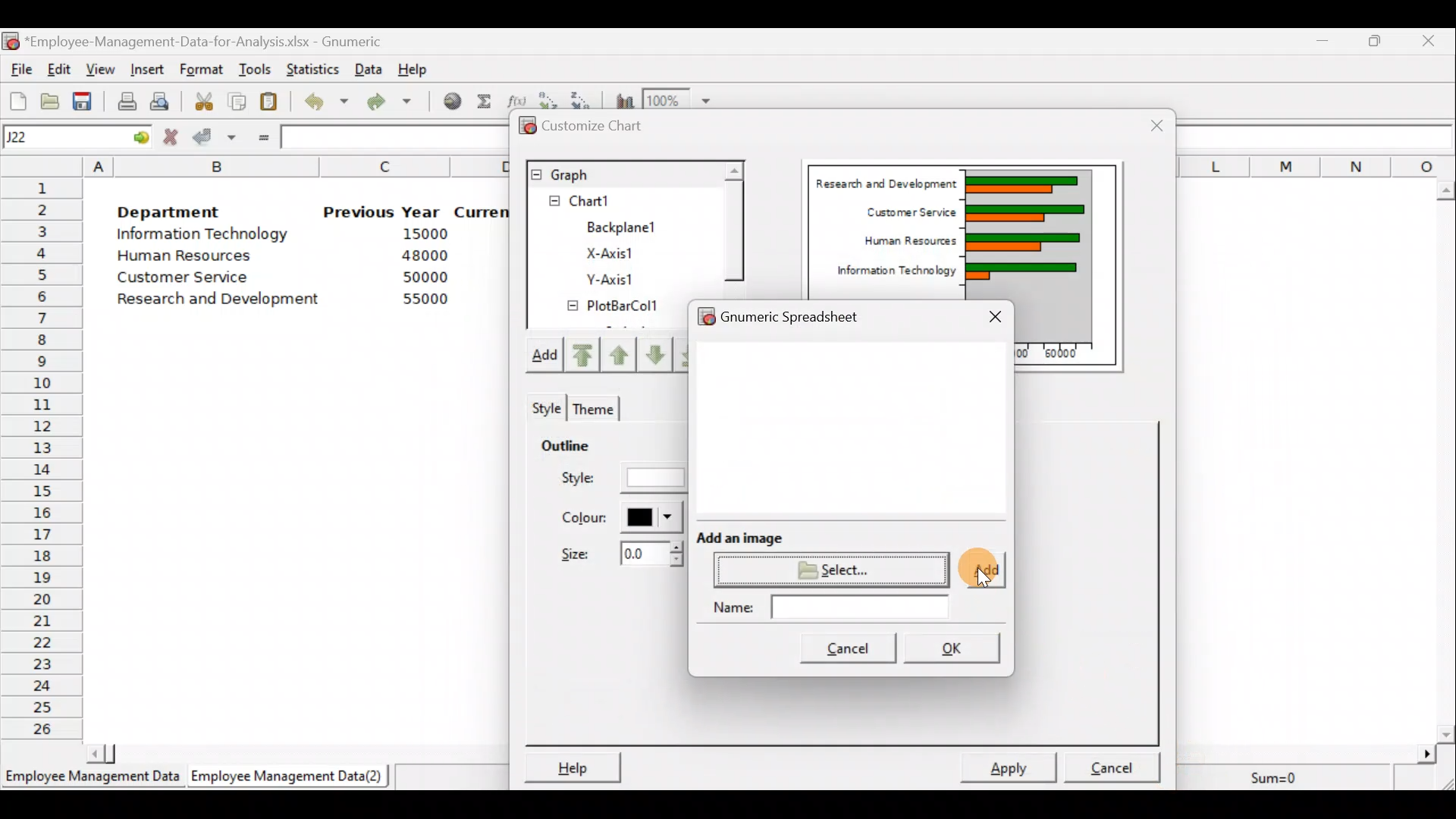 This screenshot has width=1456, height=819. What do you see at coordinates (172, 137) in the screenshot?
I see `Cancel change` at bounding box center [172, 137].